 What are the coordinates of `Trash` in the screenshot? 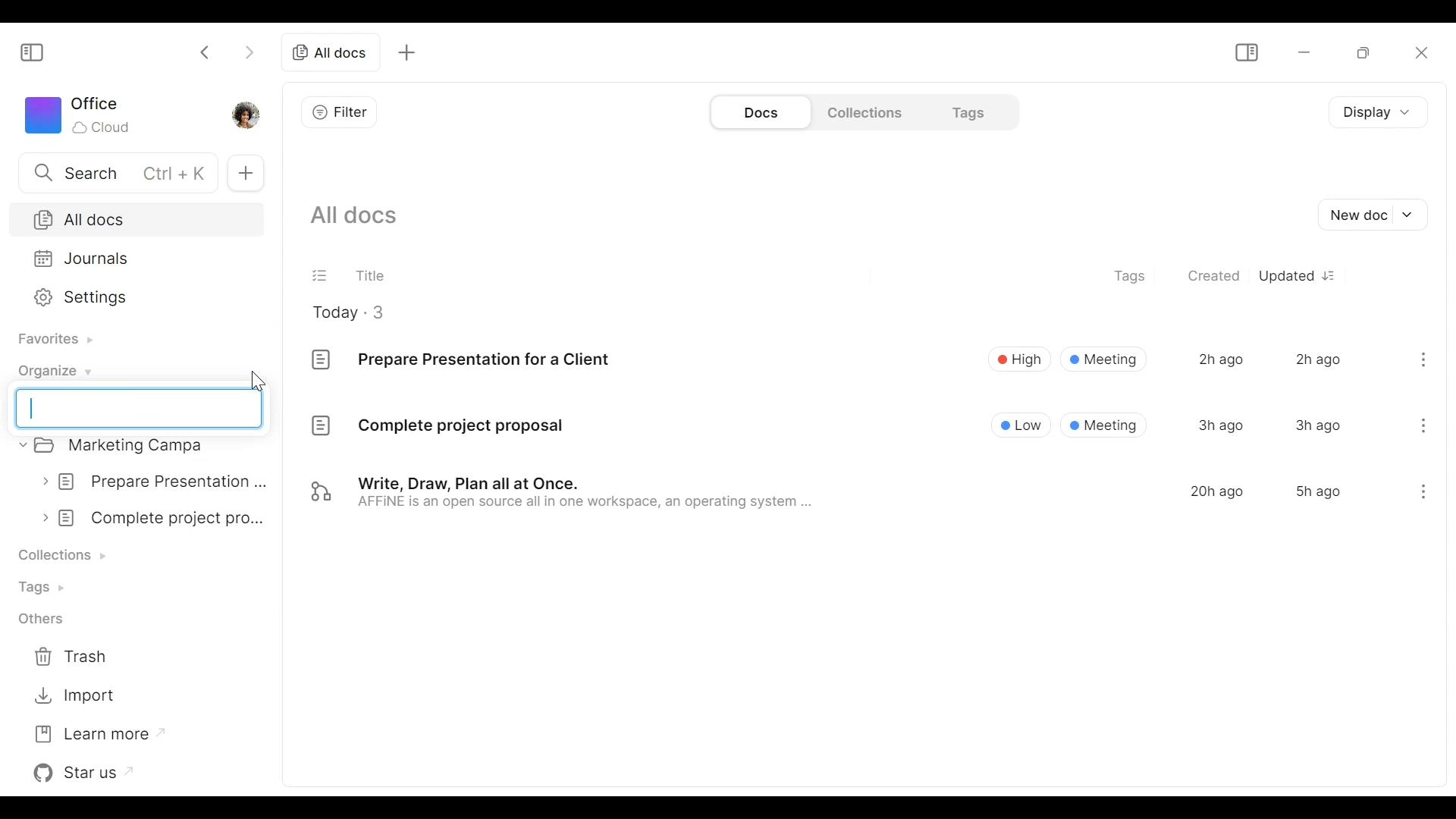 It's located at (83, 654).